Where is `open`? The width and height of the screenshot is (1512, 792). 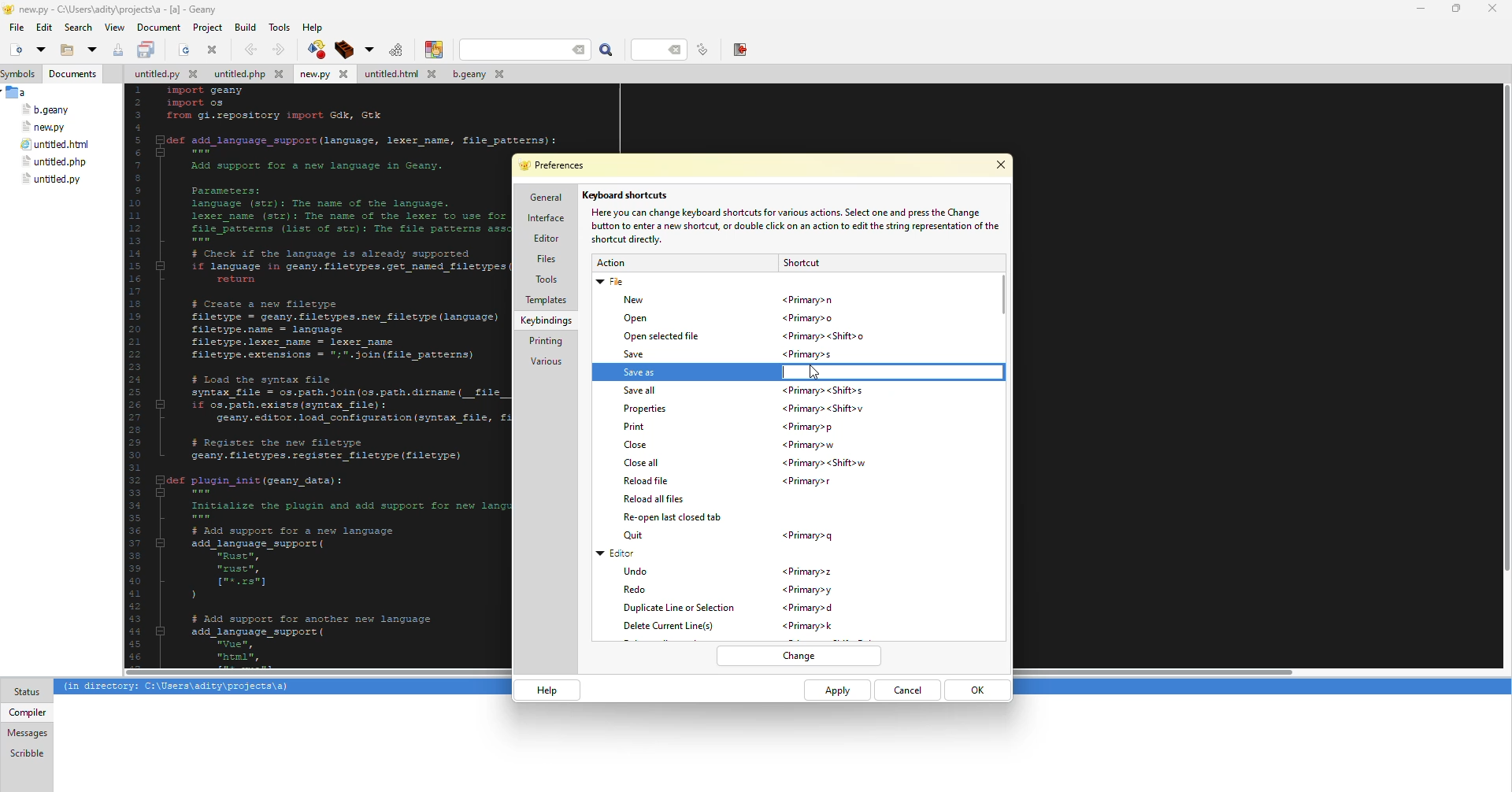
open is located at coordinates (91, 50).